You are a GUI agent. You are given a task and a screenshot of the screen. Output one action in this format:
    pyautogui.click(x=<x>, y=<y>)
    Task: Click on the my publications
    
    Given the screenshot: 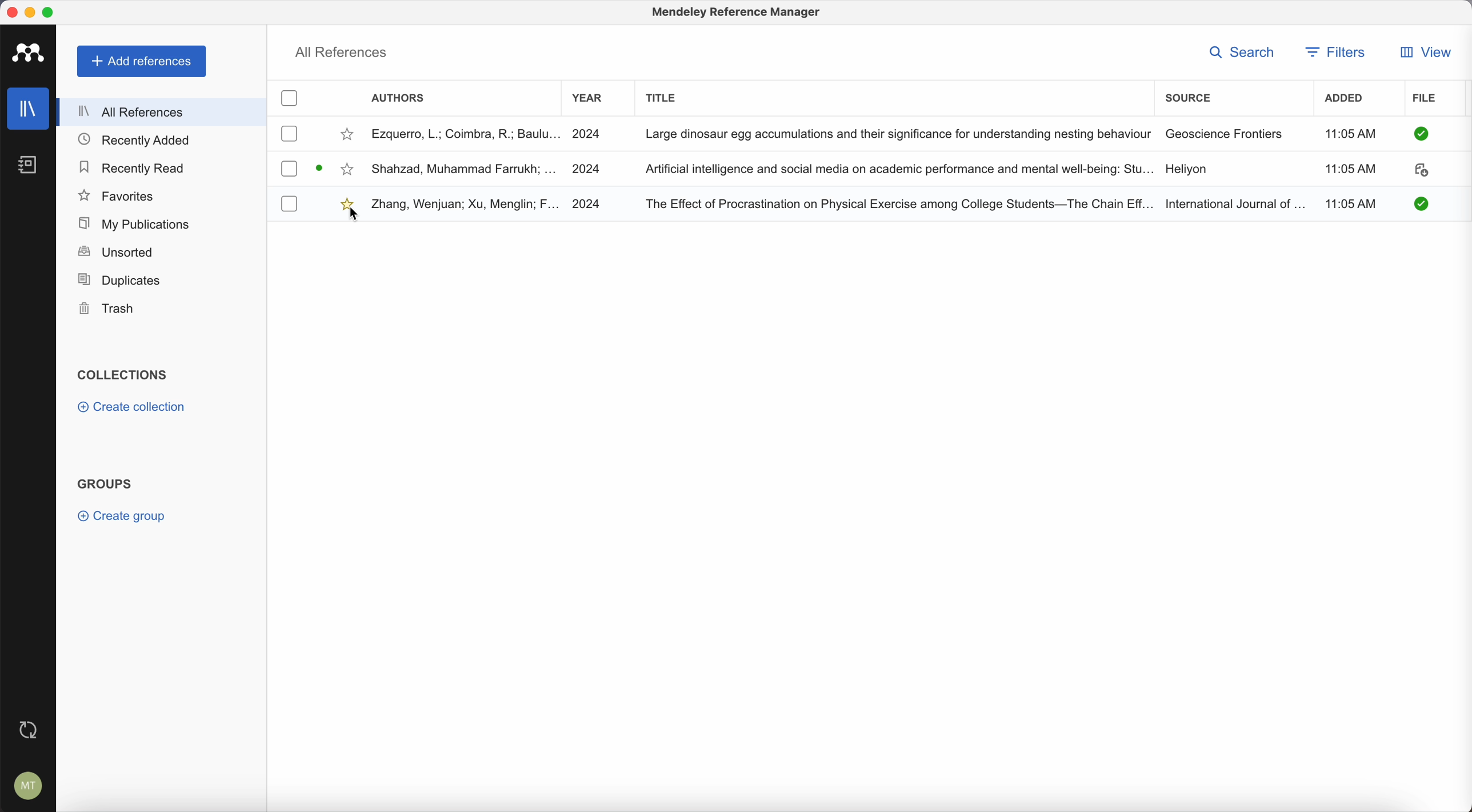 What is the action you would take?
    pyautogui.click(x=131, y=222)
    